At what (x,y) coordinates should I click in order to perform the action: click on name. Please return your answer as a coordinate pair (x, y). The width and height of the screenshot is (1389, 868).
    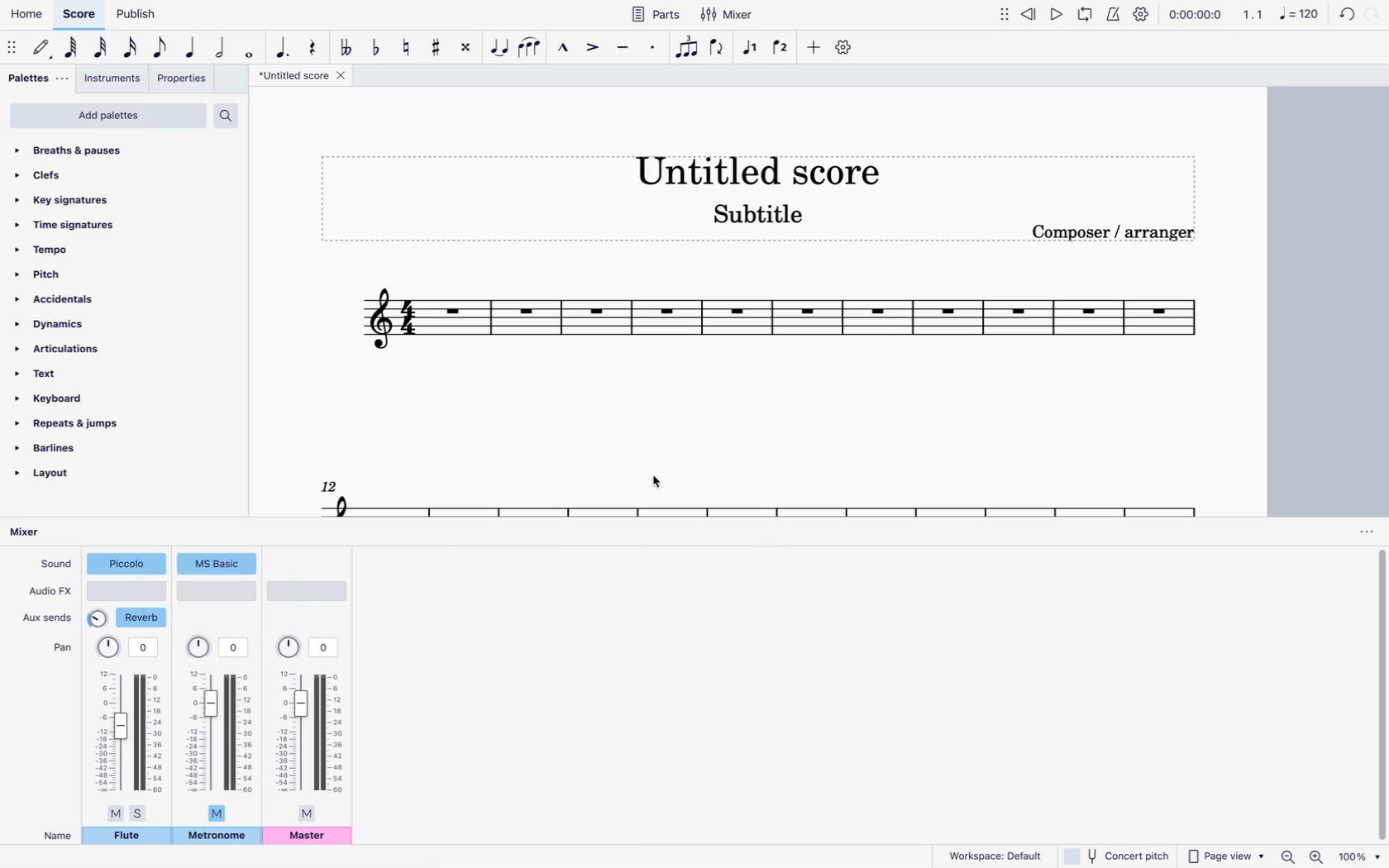
    Looking at the image, I should click on (58, 836).